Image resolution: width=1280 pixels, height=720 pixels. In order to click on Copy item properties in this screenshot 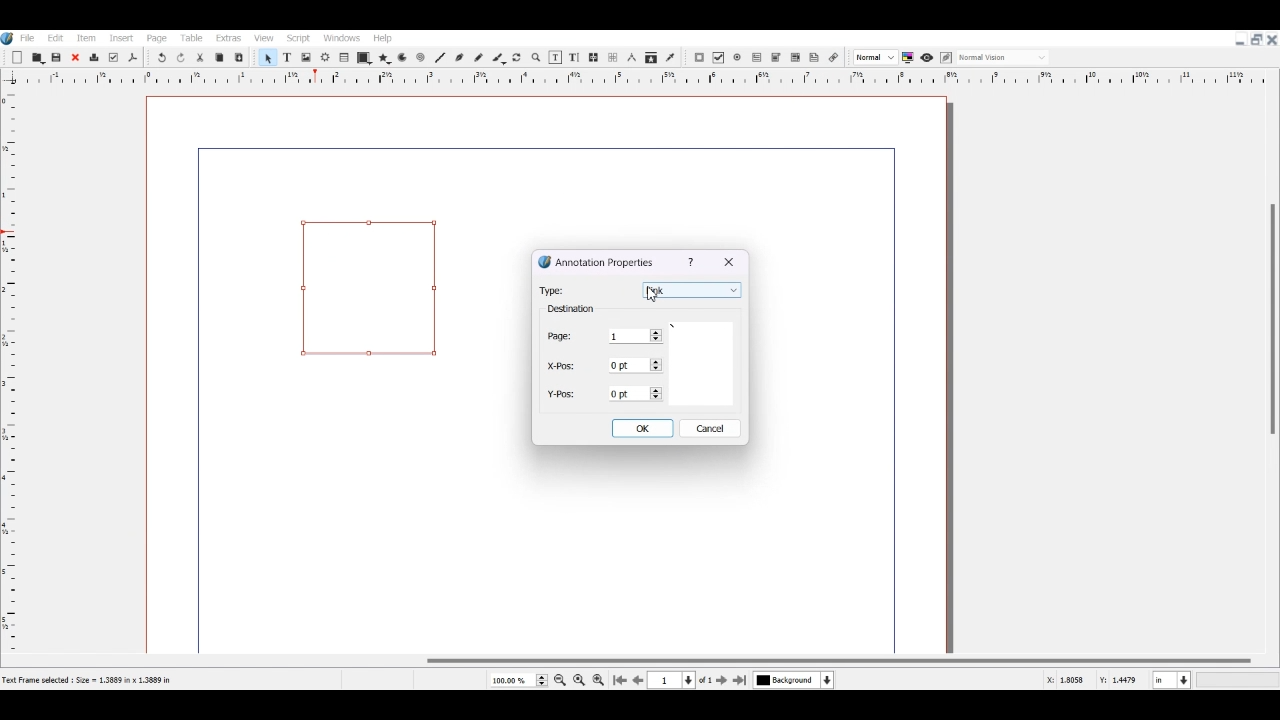, I will do `click(651, 59)`.